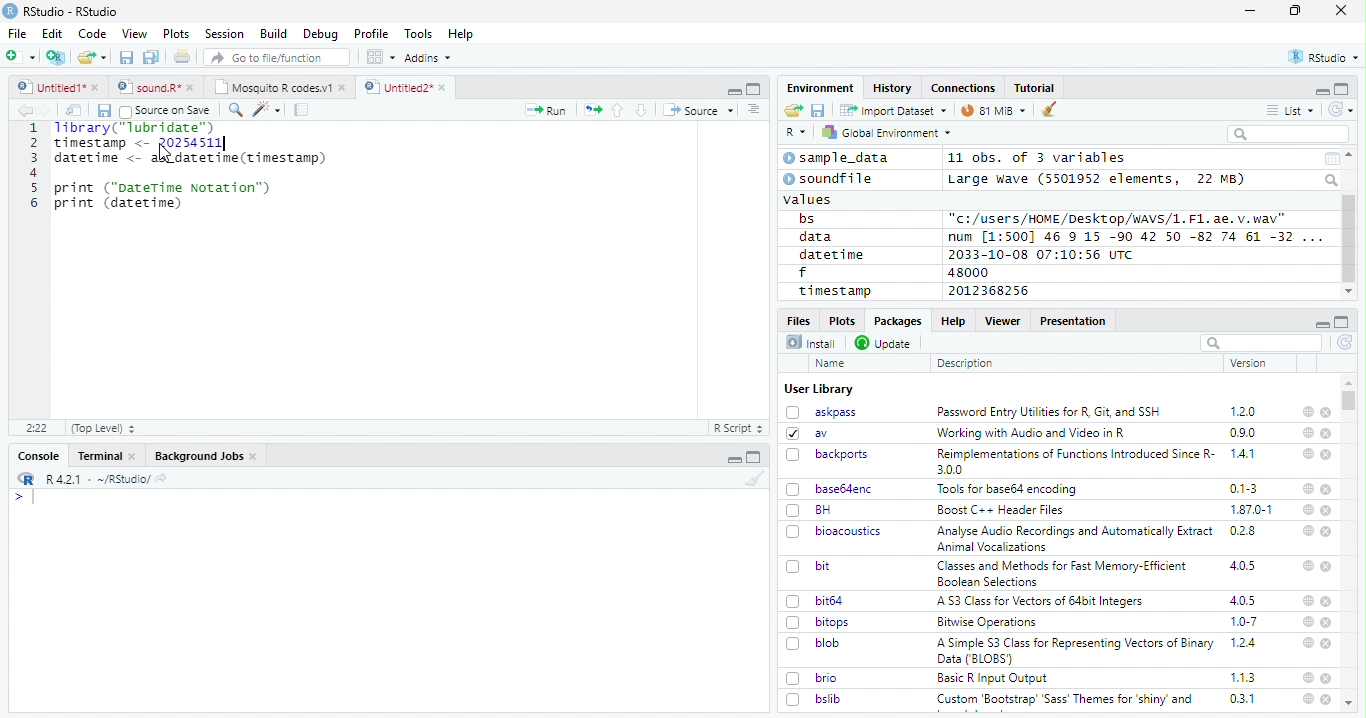 The height and width of the screenshot is (718, 1366). Describe the element at coordinates (1327, 678) in the screenshot. I see `close` at that location.